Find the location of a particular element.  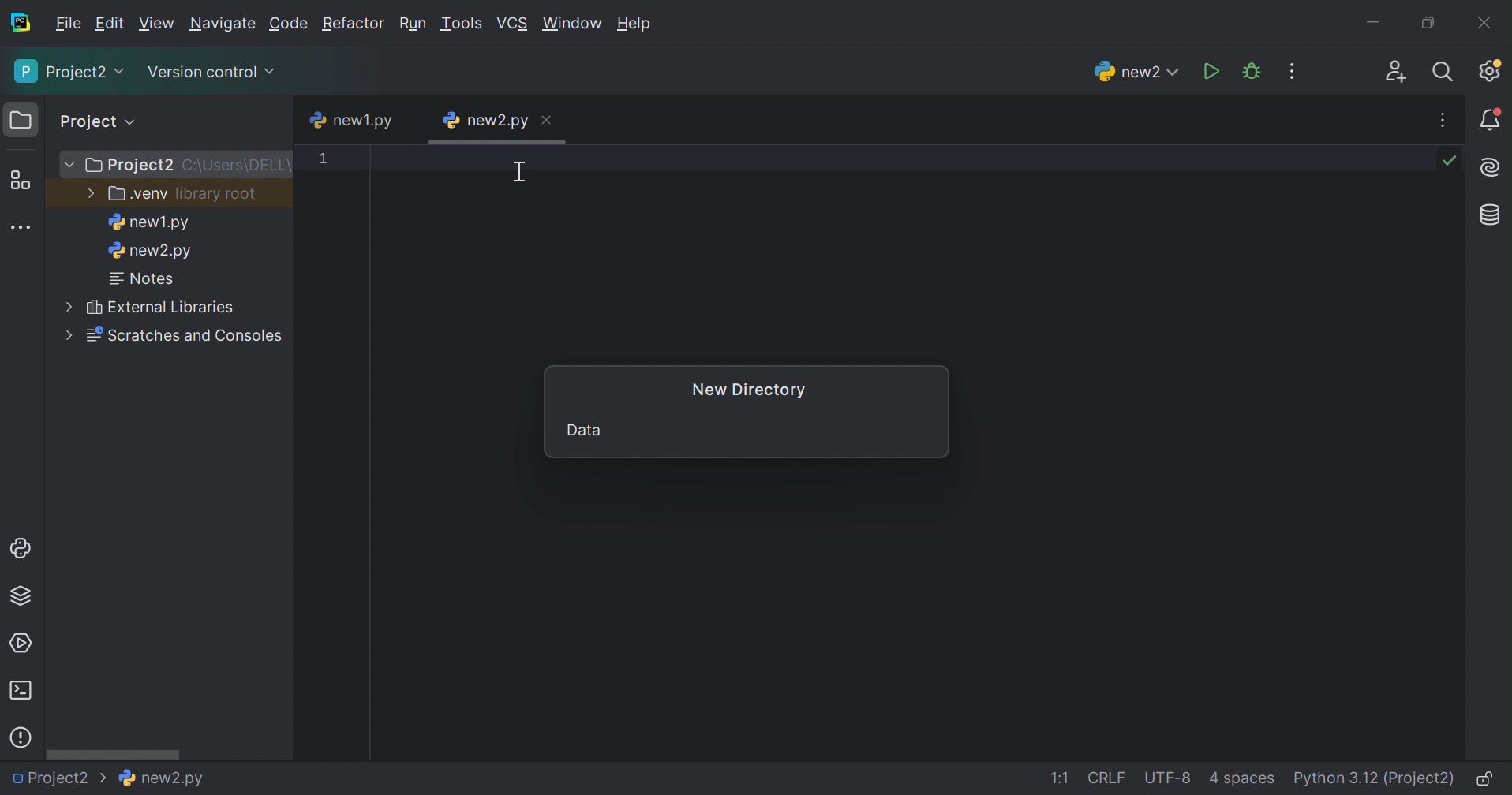

Edit is located at coordinates (157, 21).